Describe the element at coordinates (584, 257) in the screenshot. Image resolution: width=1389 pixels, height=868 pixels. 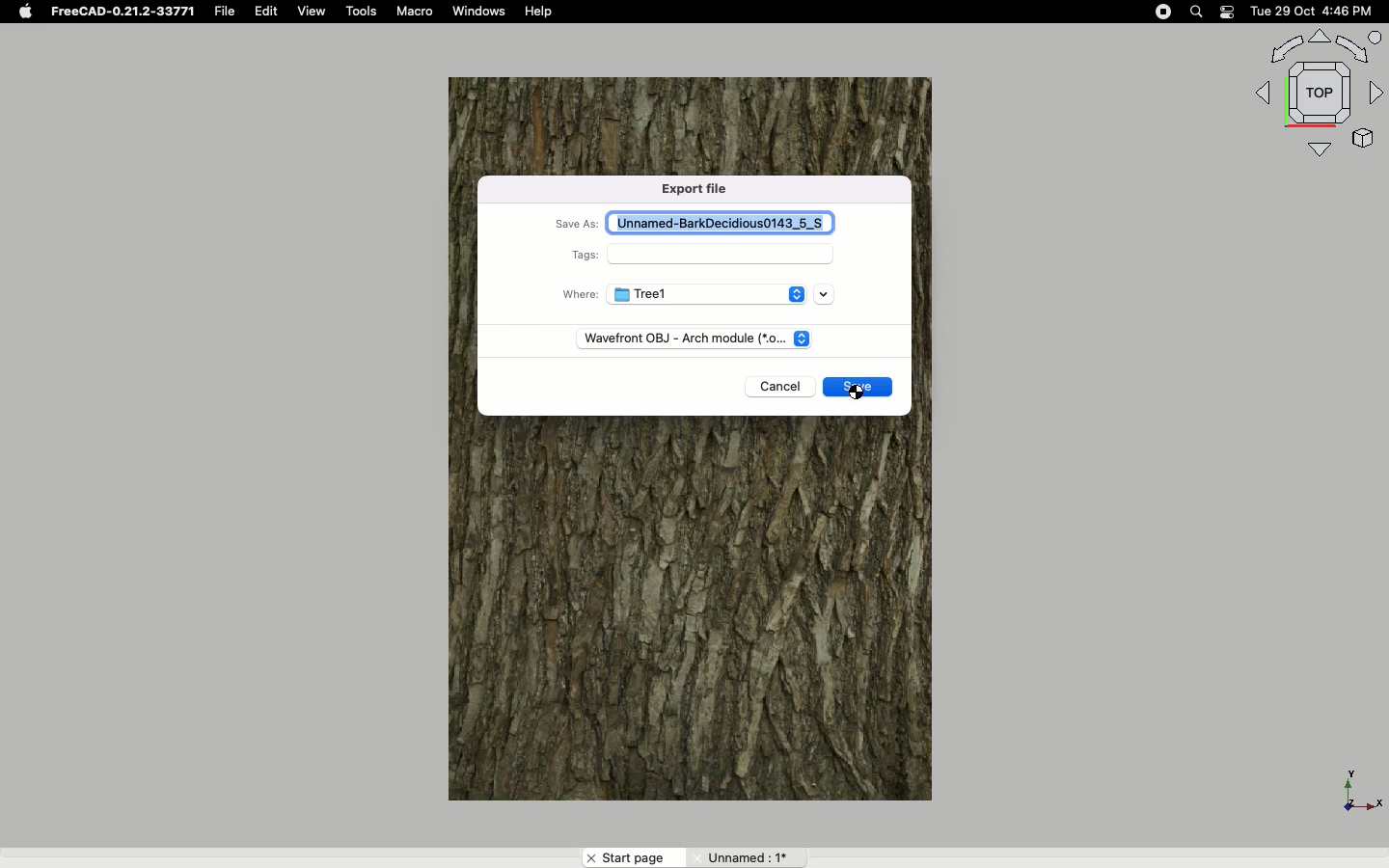
I see `Tags` at that location.